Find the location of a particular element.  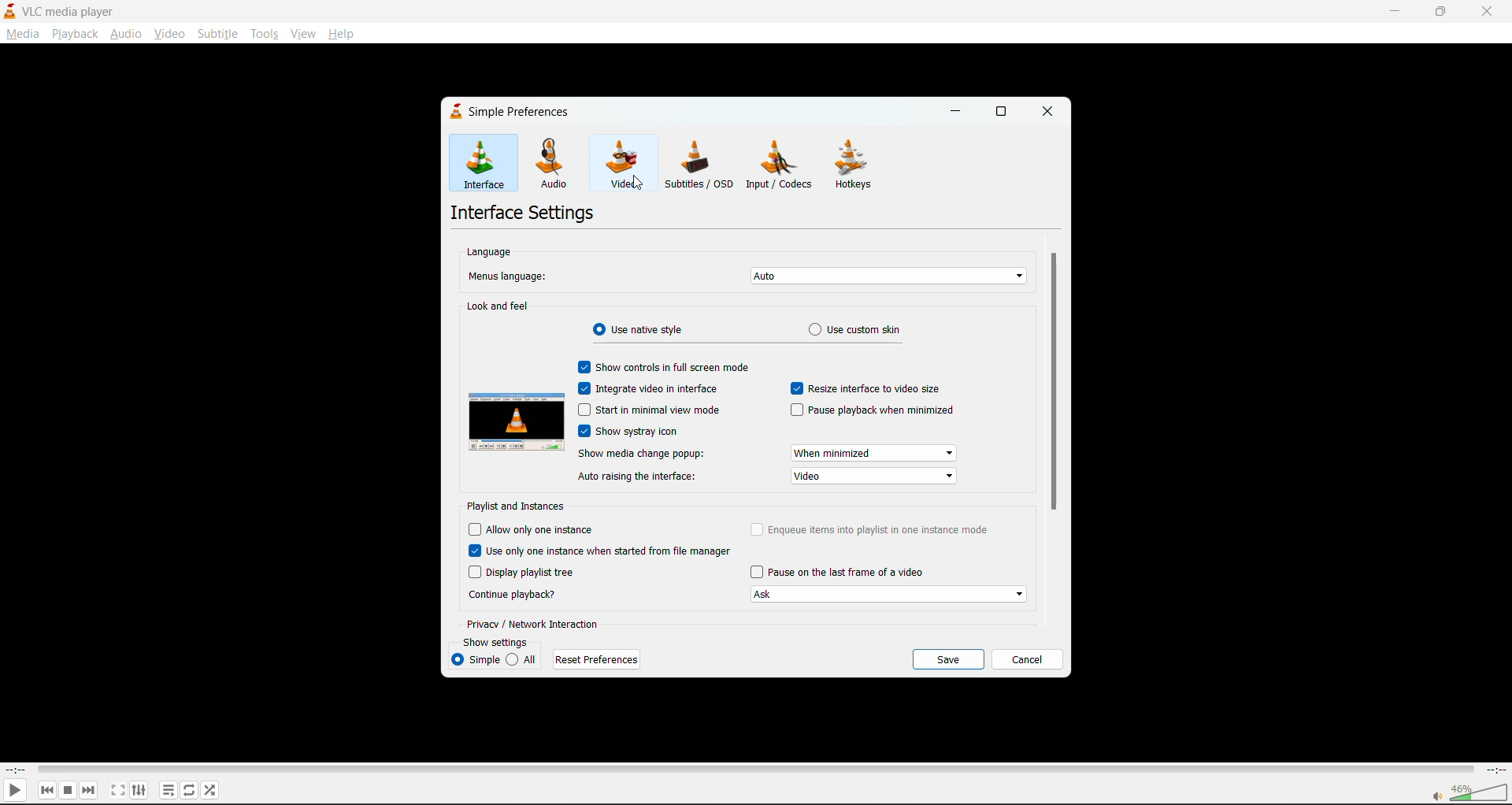

audio is located at coordinates (557, 162).